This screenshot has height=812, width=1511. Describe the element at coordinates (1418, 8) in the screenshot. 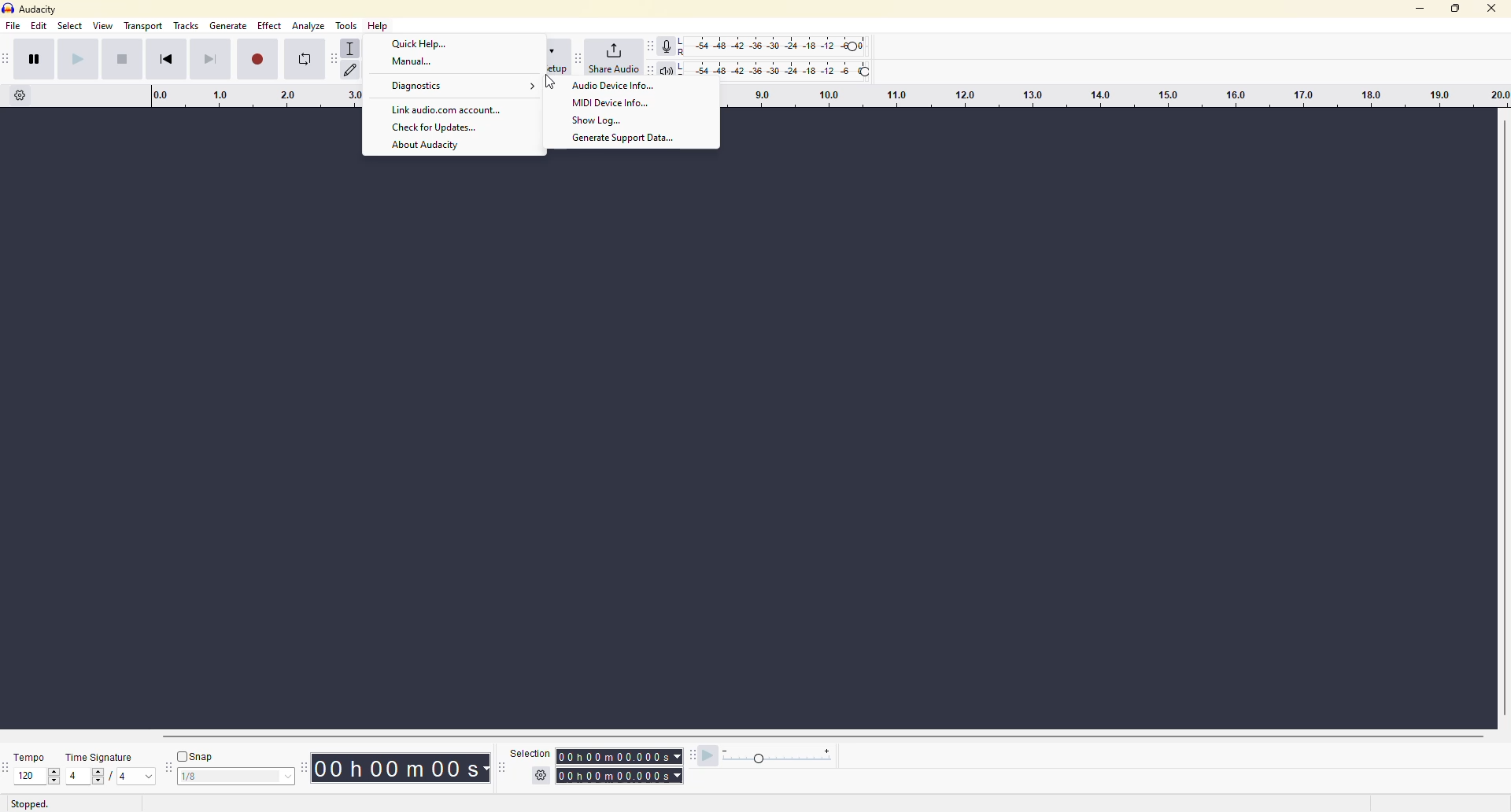

I see `minimize` at that location.